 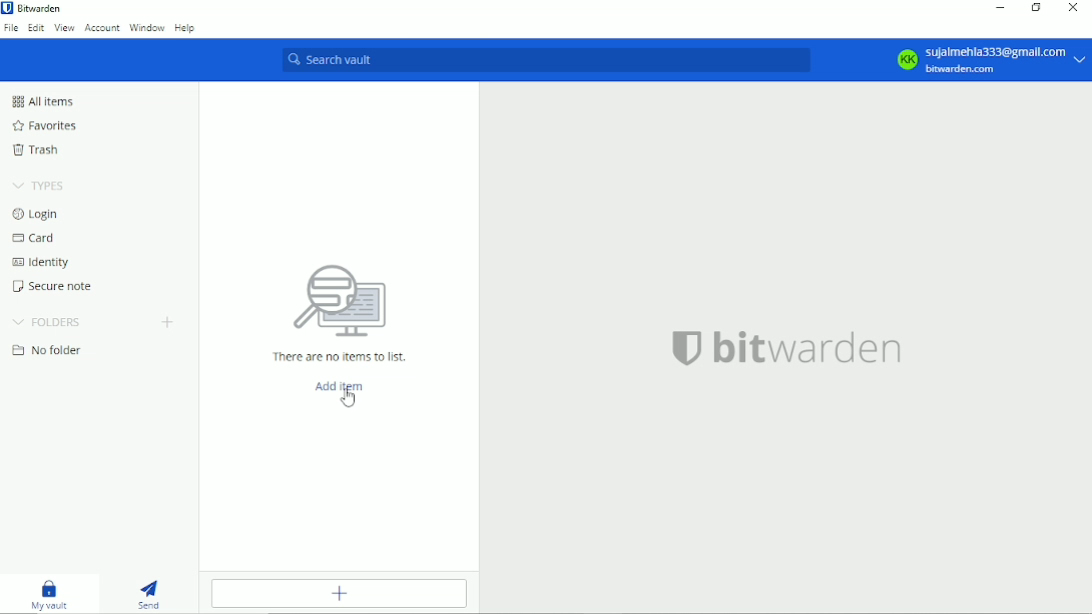 I want to click on My vault, so click(x=49, y=594).